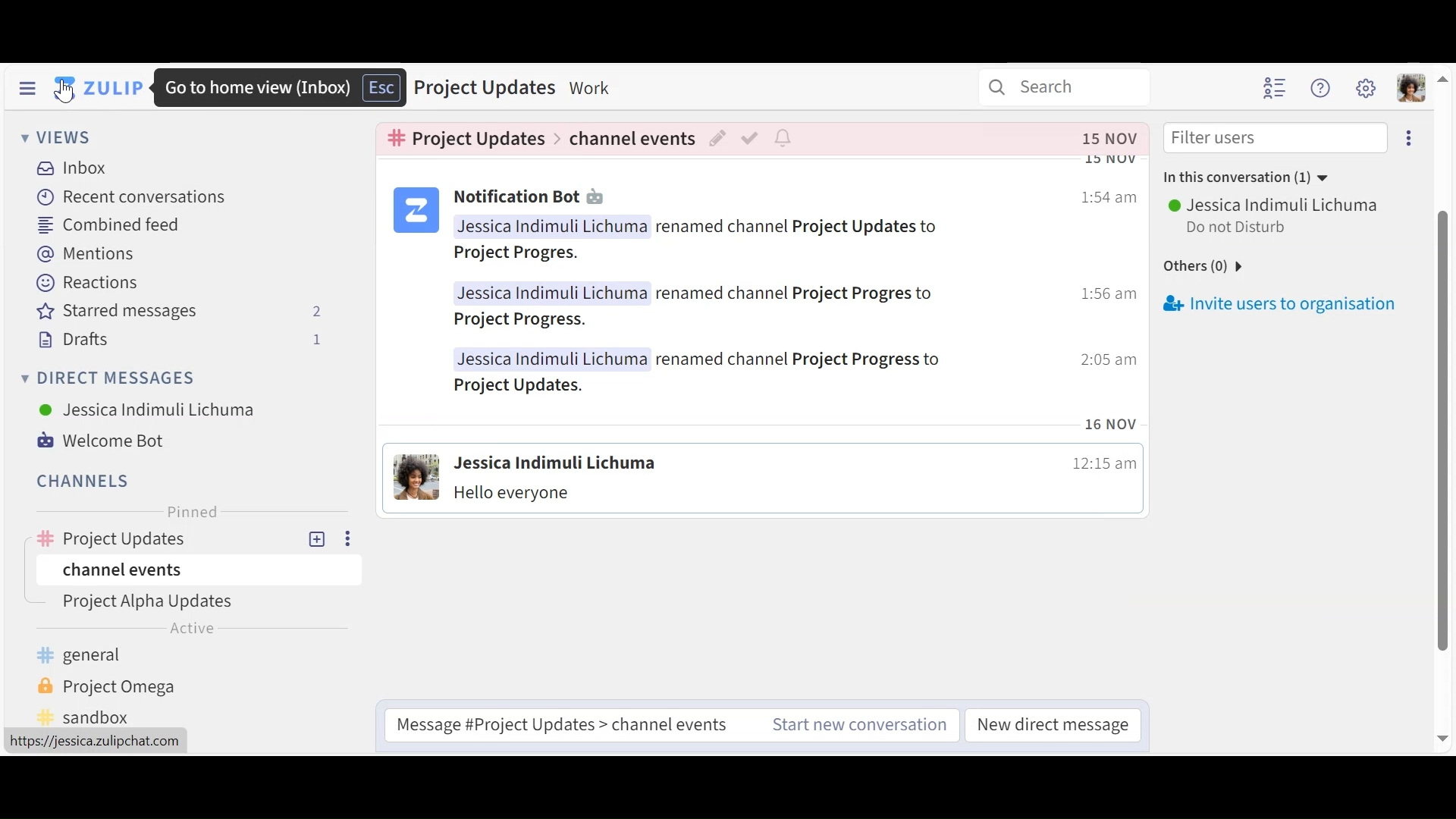 Image resolution: width=1456 pixels, height=819 pixels. I want to click on Go to Home View, so click(99, 87).